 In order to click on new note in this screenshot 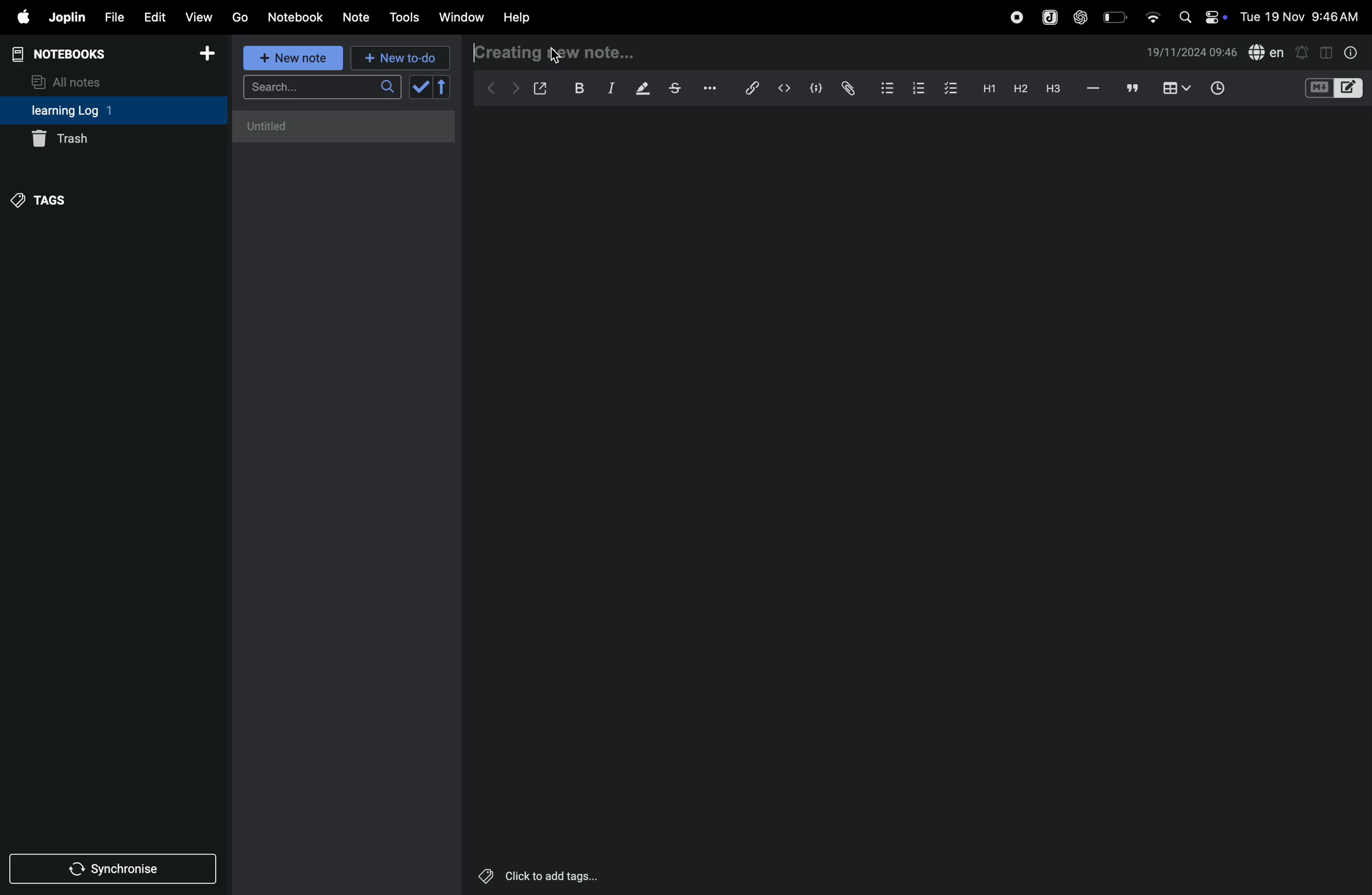, I will do `click(290, 58)`.